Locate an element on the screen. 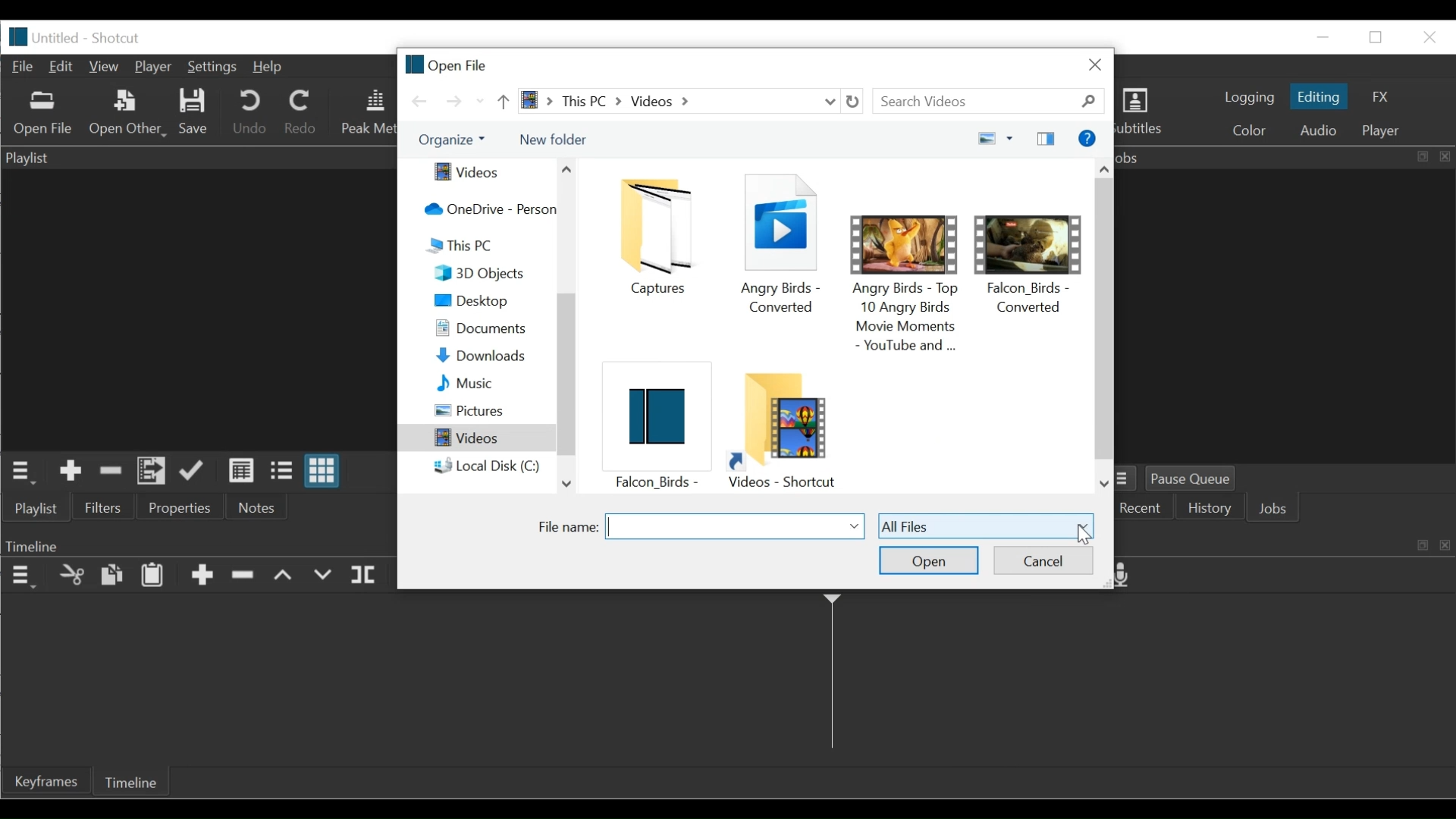  Timeline Panel is located at coordinates (21, 576).